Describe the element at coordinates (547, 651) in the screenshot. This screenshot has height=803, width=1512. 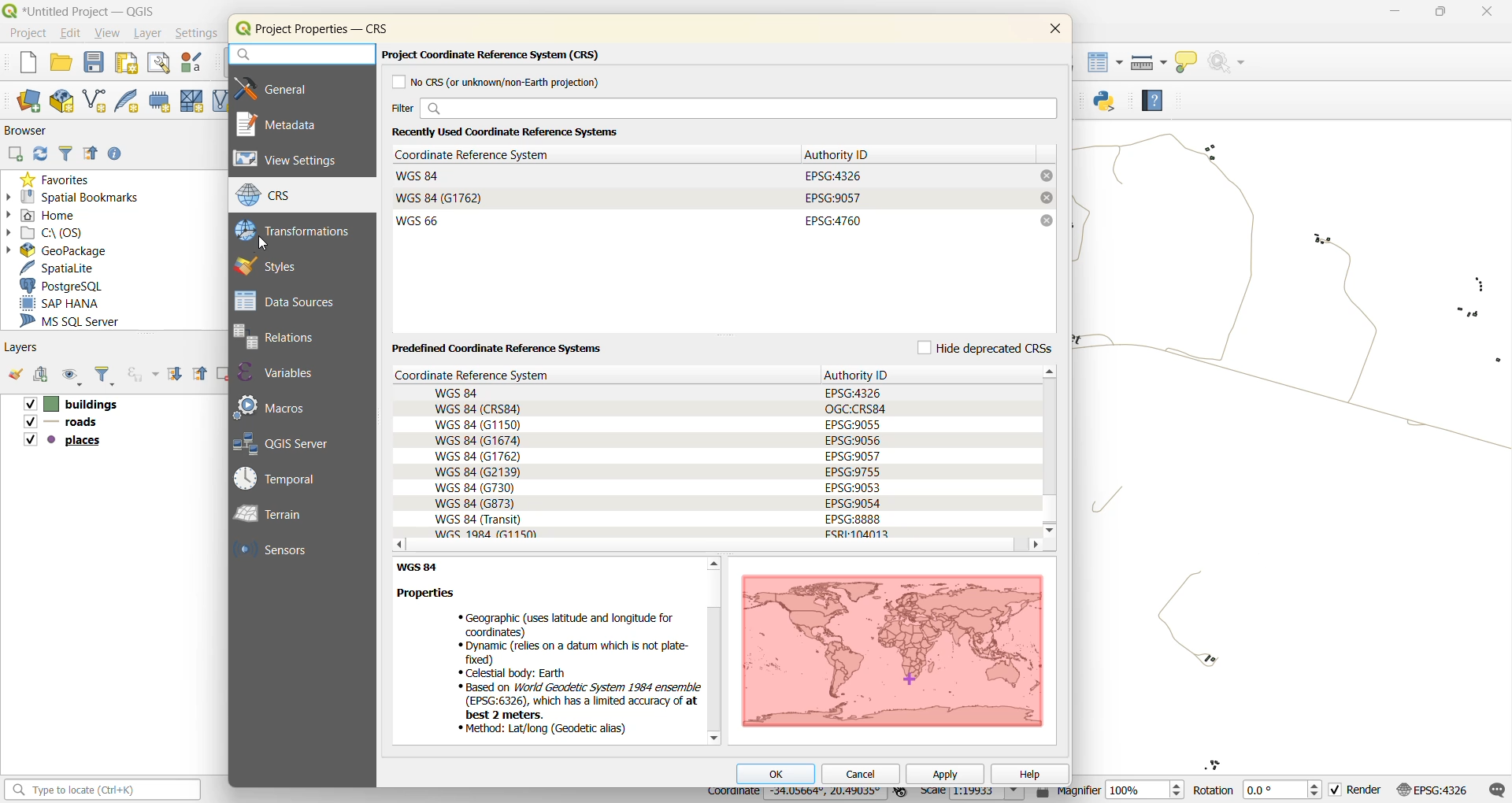
I see `metadata` at that location.